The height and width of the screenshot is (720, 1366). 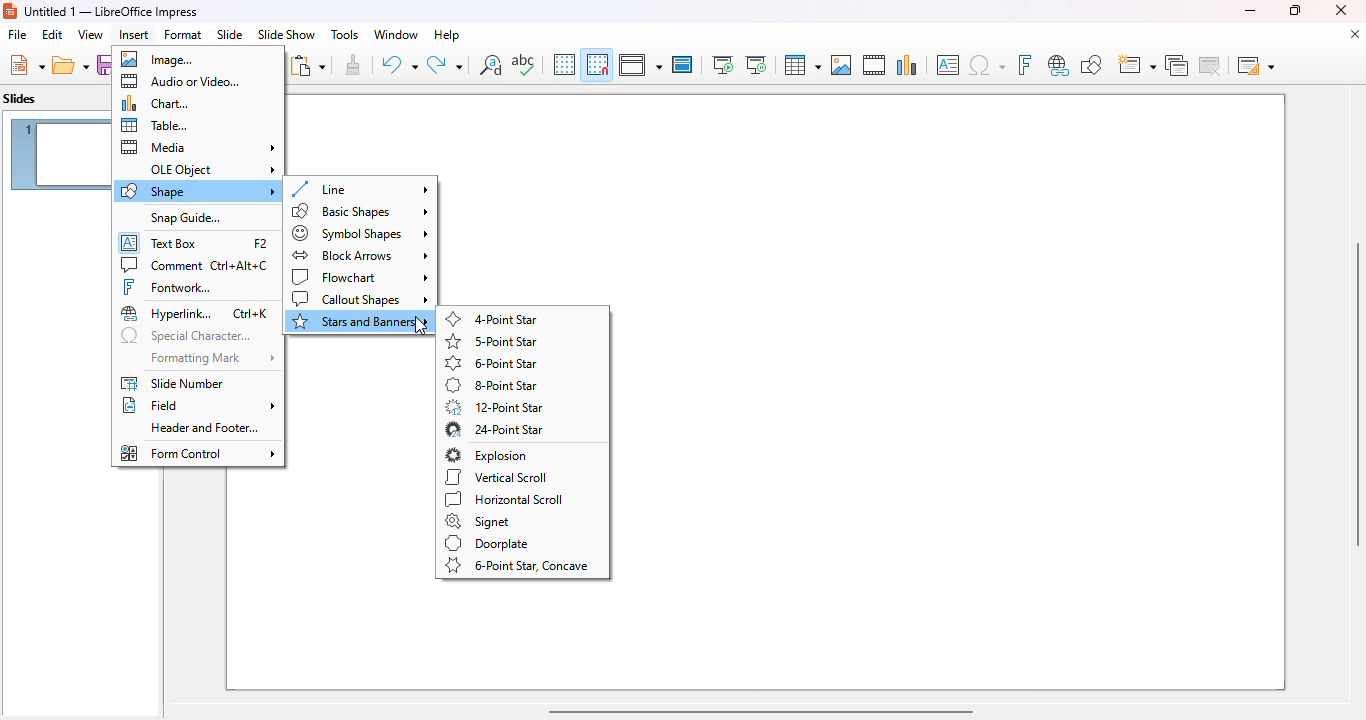 I want to click on title, so click(x=112, y=11).